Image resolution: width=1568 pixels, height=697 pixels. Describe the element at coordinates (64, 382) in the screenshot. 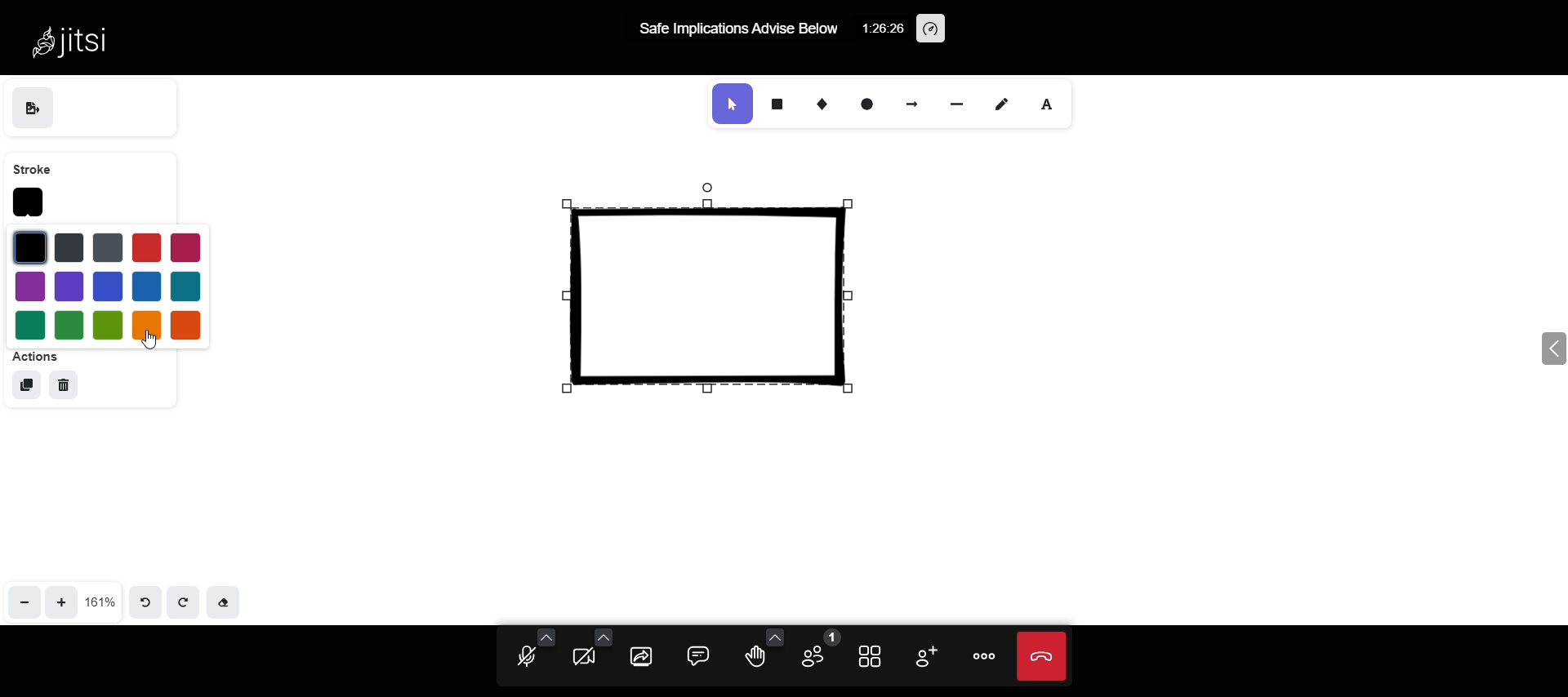

I see `delete` at that location.